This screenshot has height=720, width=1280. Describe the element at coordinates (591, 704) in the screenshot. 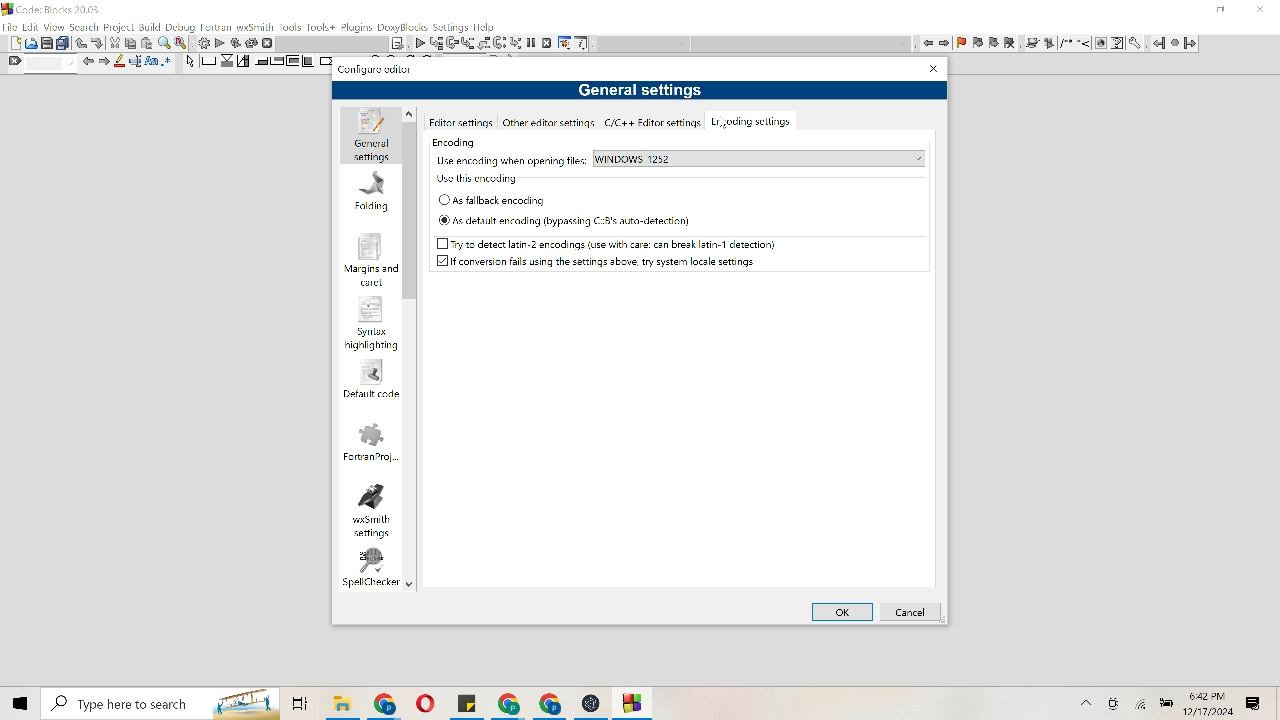

I see `File` at that location.